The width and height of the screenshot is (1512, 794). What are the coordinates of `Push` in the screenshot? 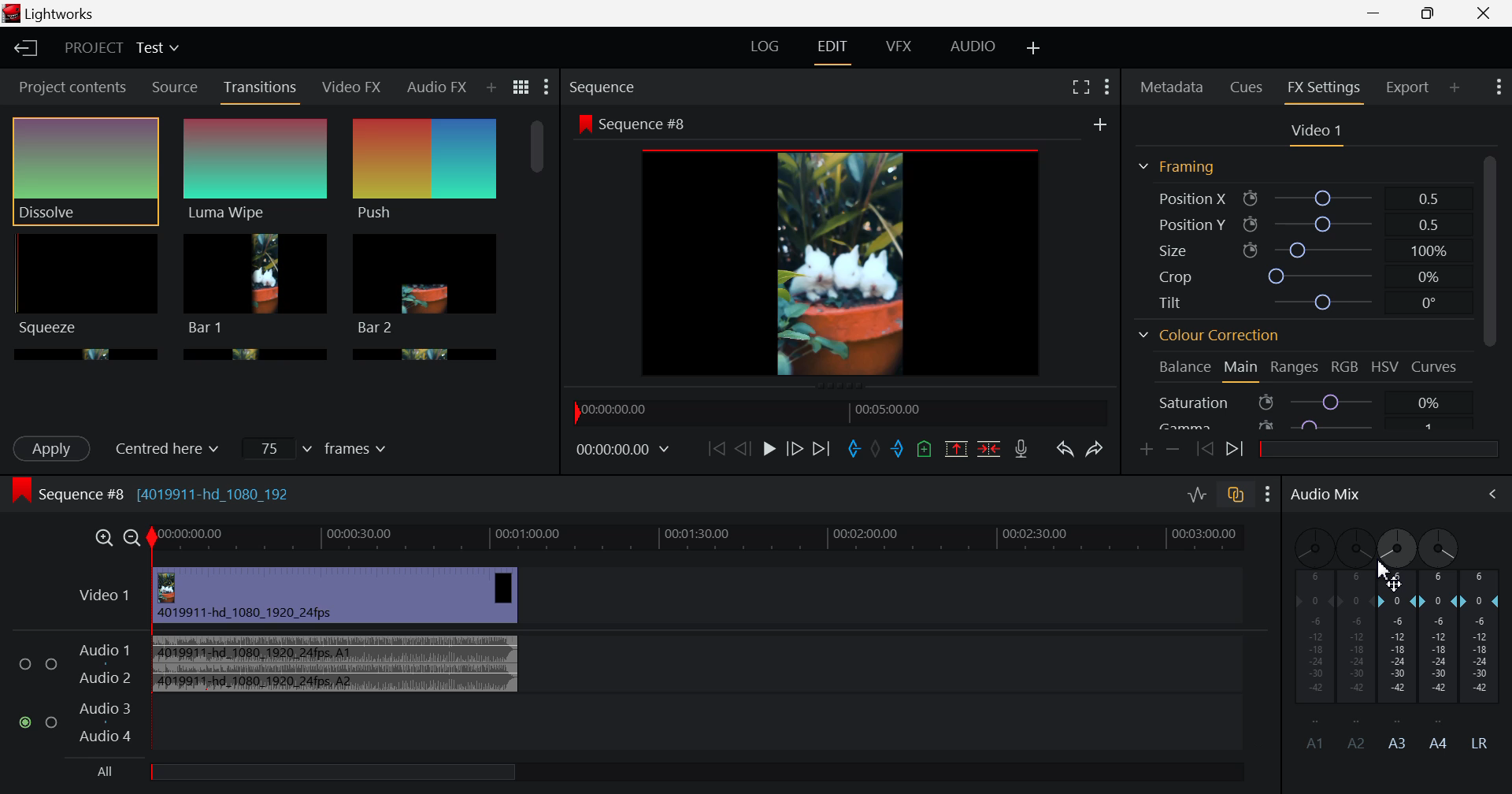 It's located at (426, 171).